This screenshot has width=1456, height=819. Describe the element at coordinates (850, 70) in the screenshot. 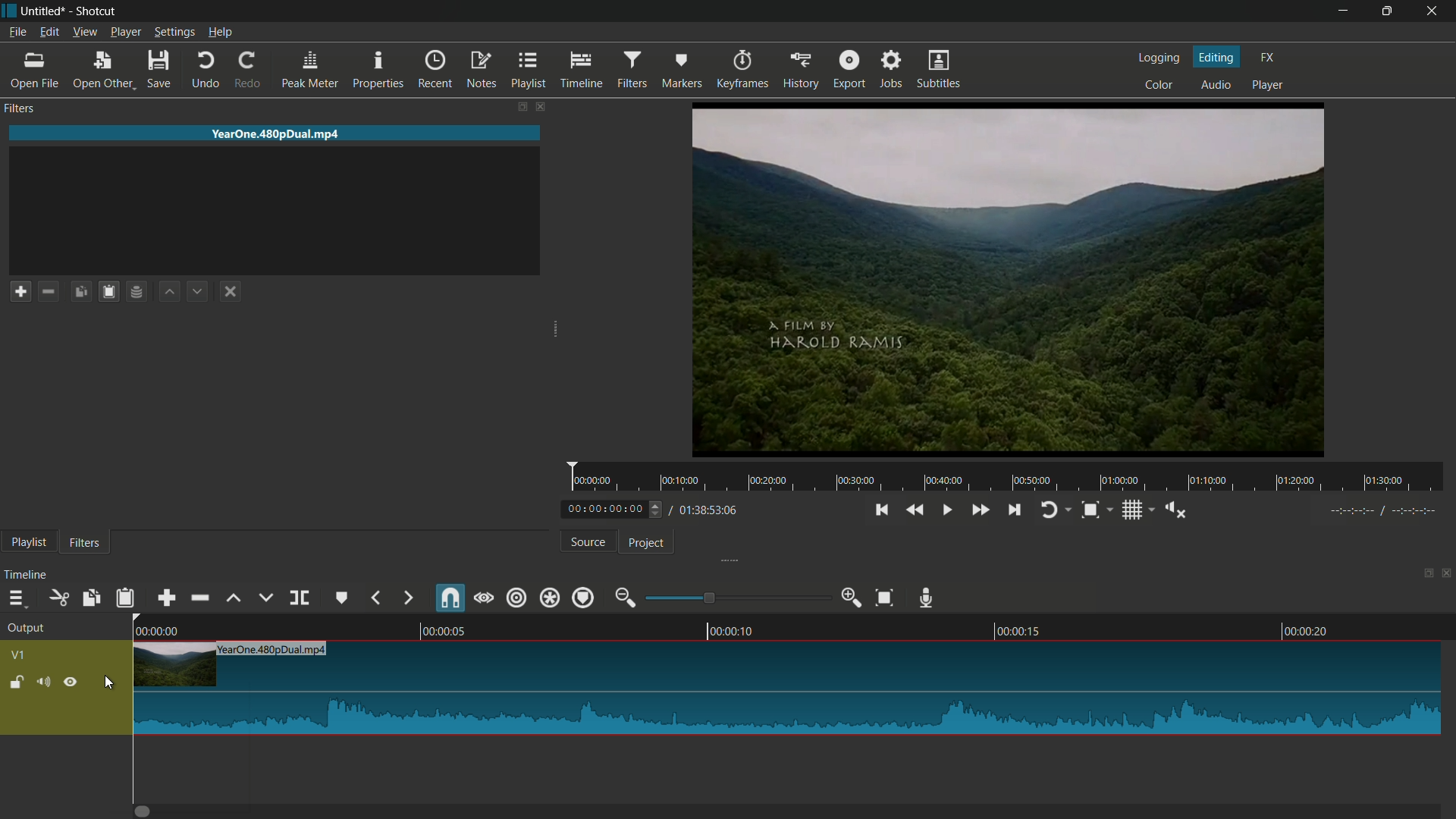

I see `export` at that location.